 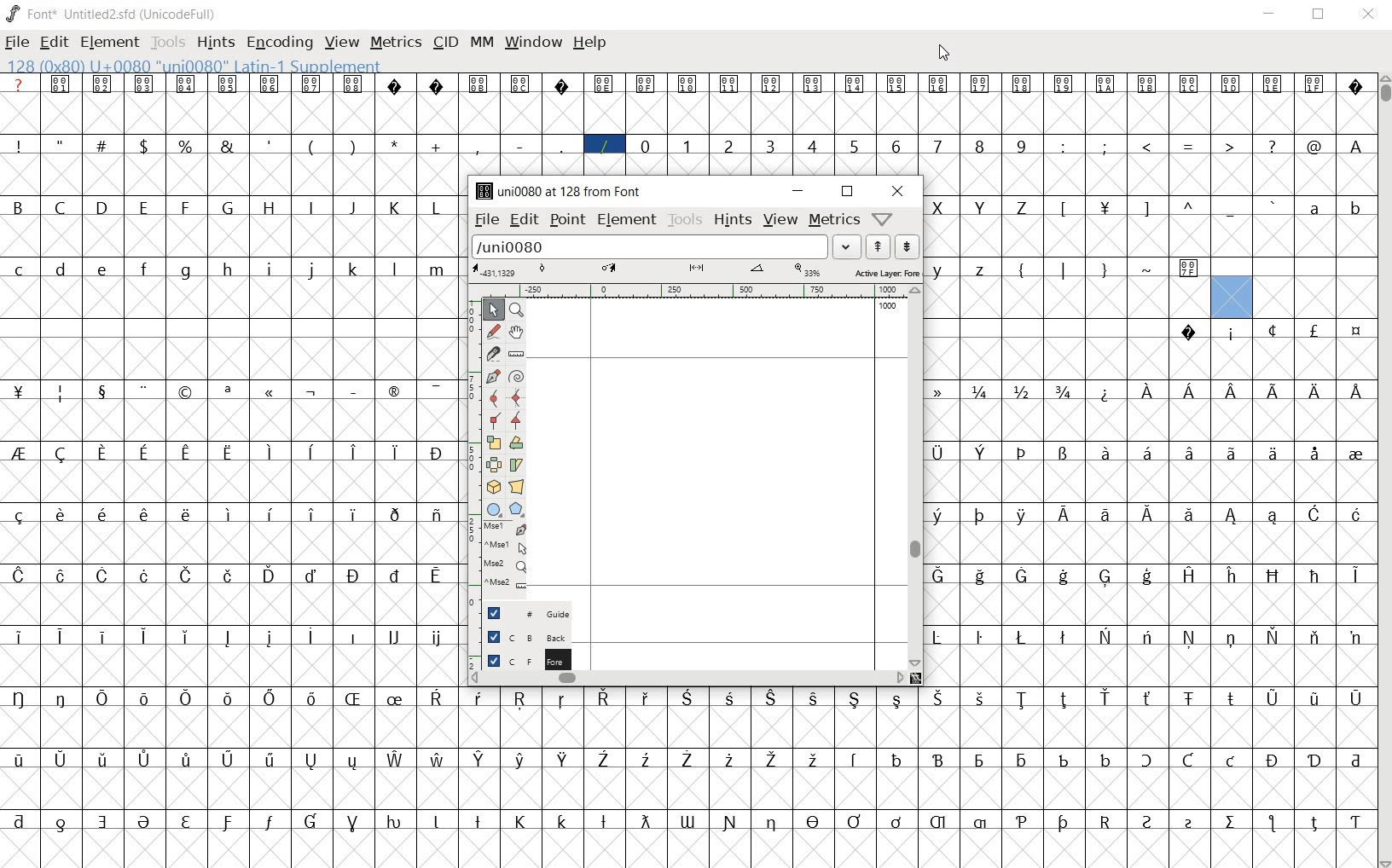 I want to click on glyph, so click(x=1316, y=454).